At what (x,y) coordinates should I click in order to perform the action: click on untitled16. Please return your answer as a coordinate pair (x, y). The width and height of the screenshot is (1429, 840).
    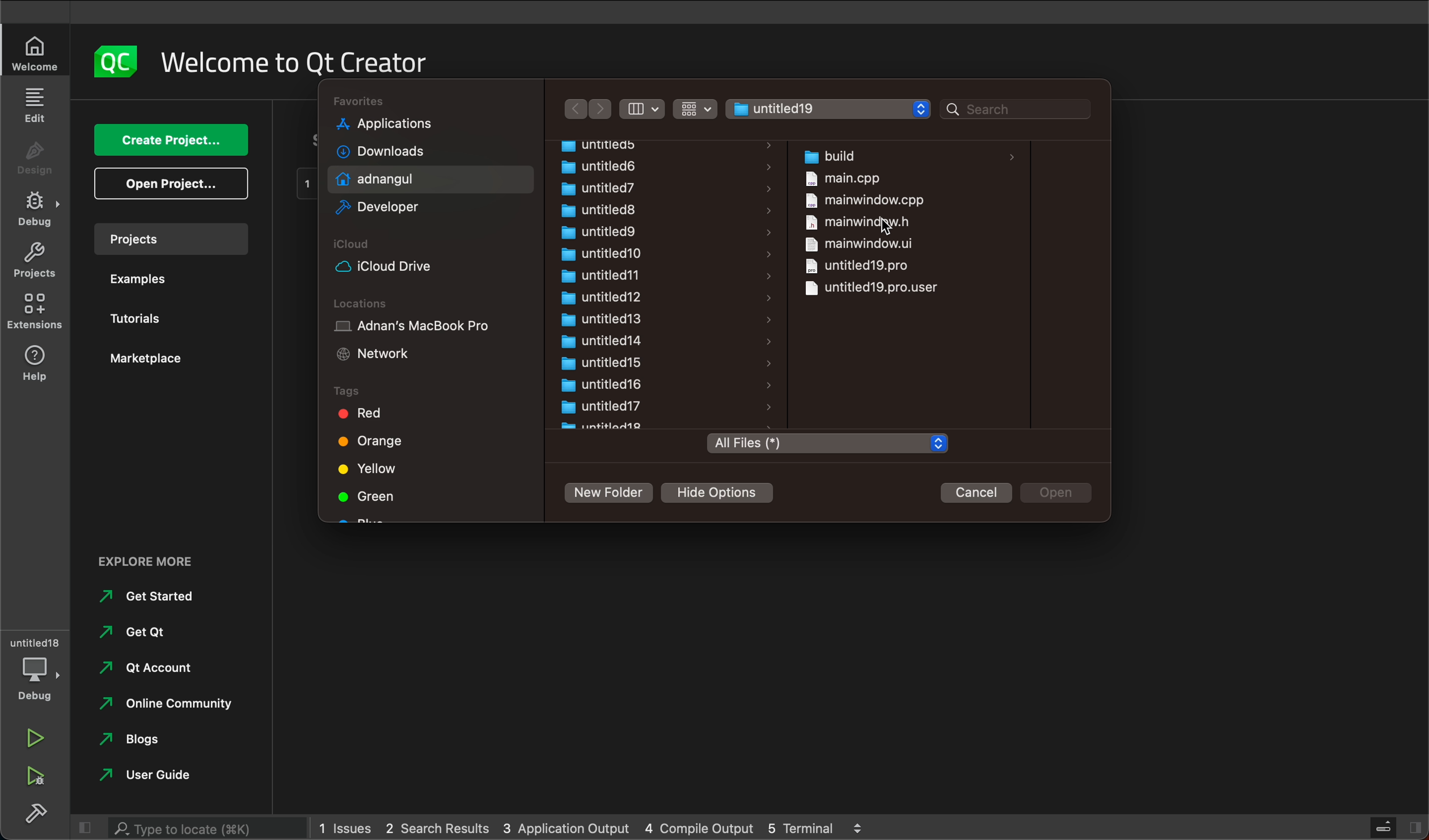
    Looking at the image, I should click on (602, 385).